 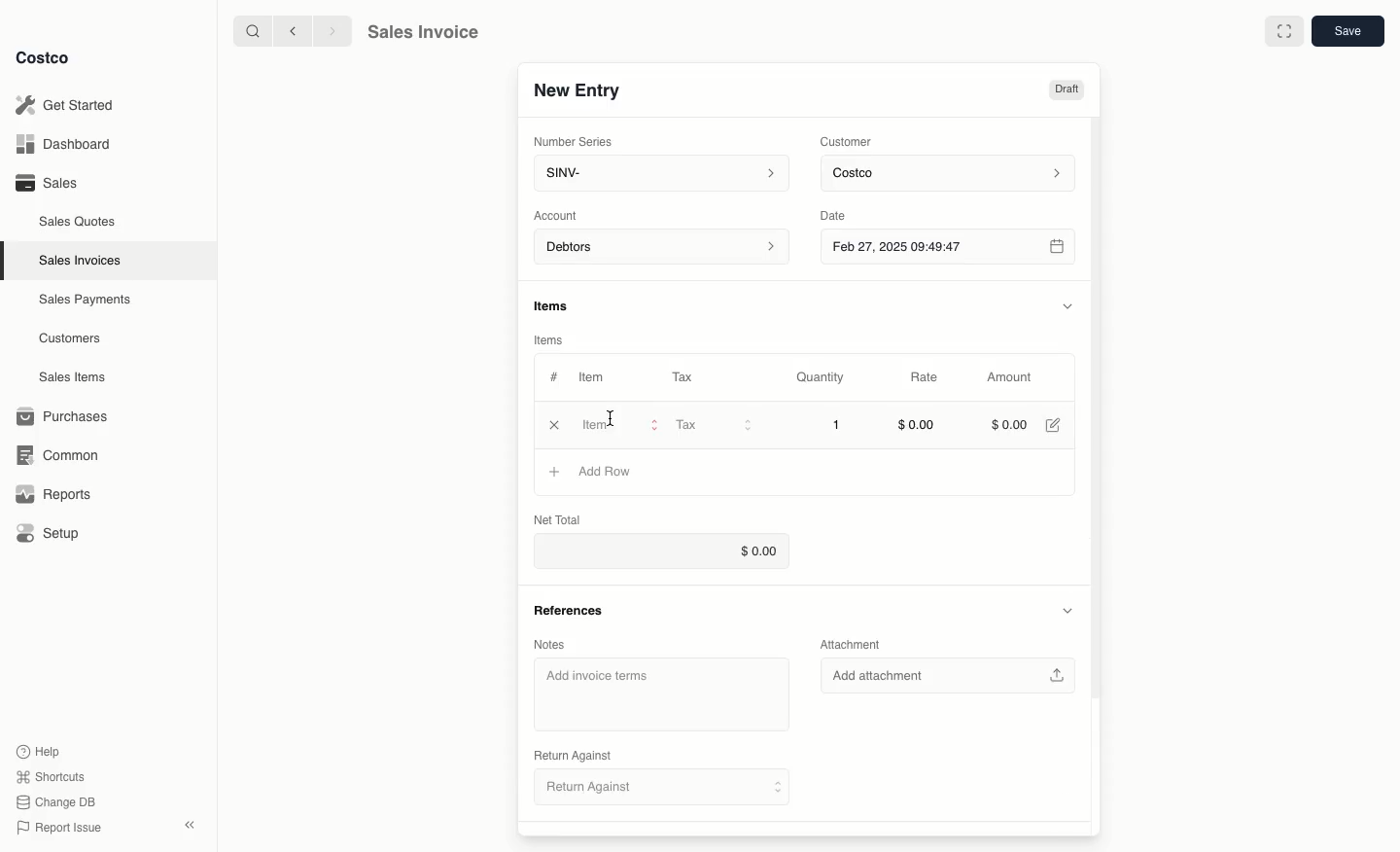 I want to click on 1, so click(x=838, y=426).